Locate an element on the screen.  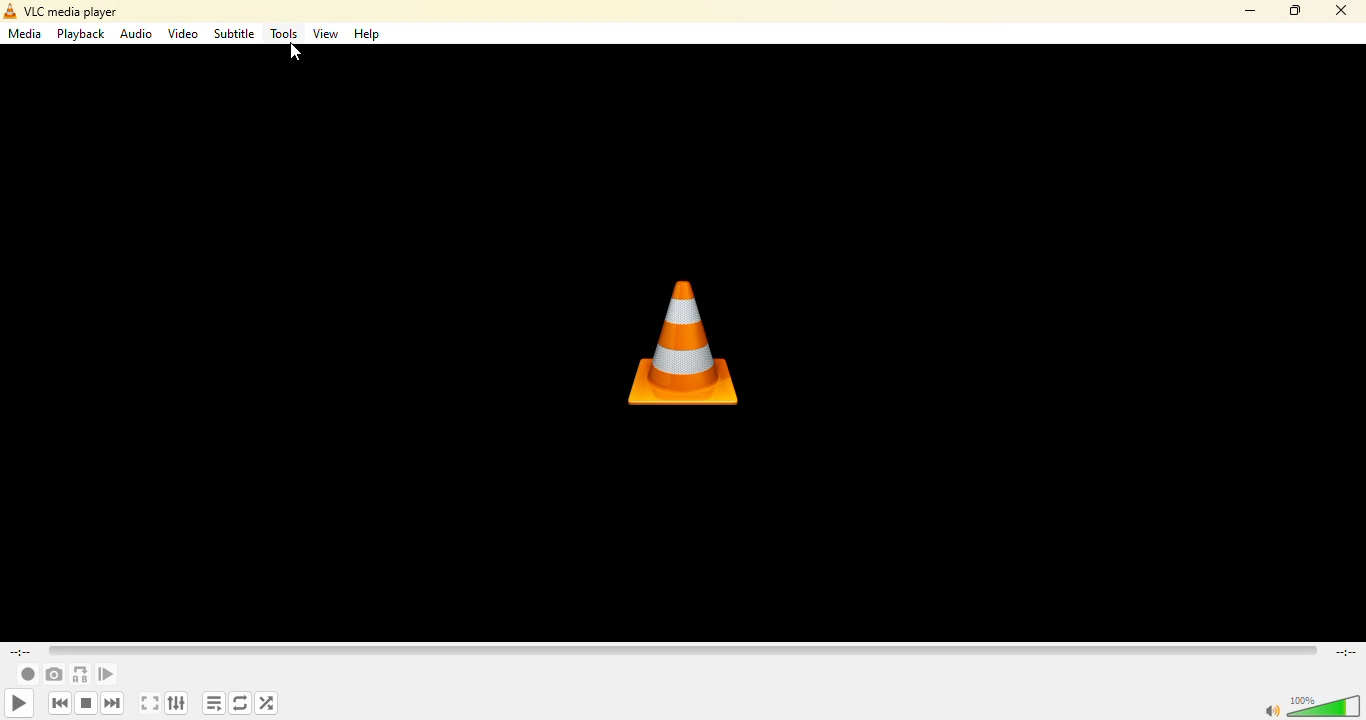
close is located at coordinates (1345, 10).